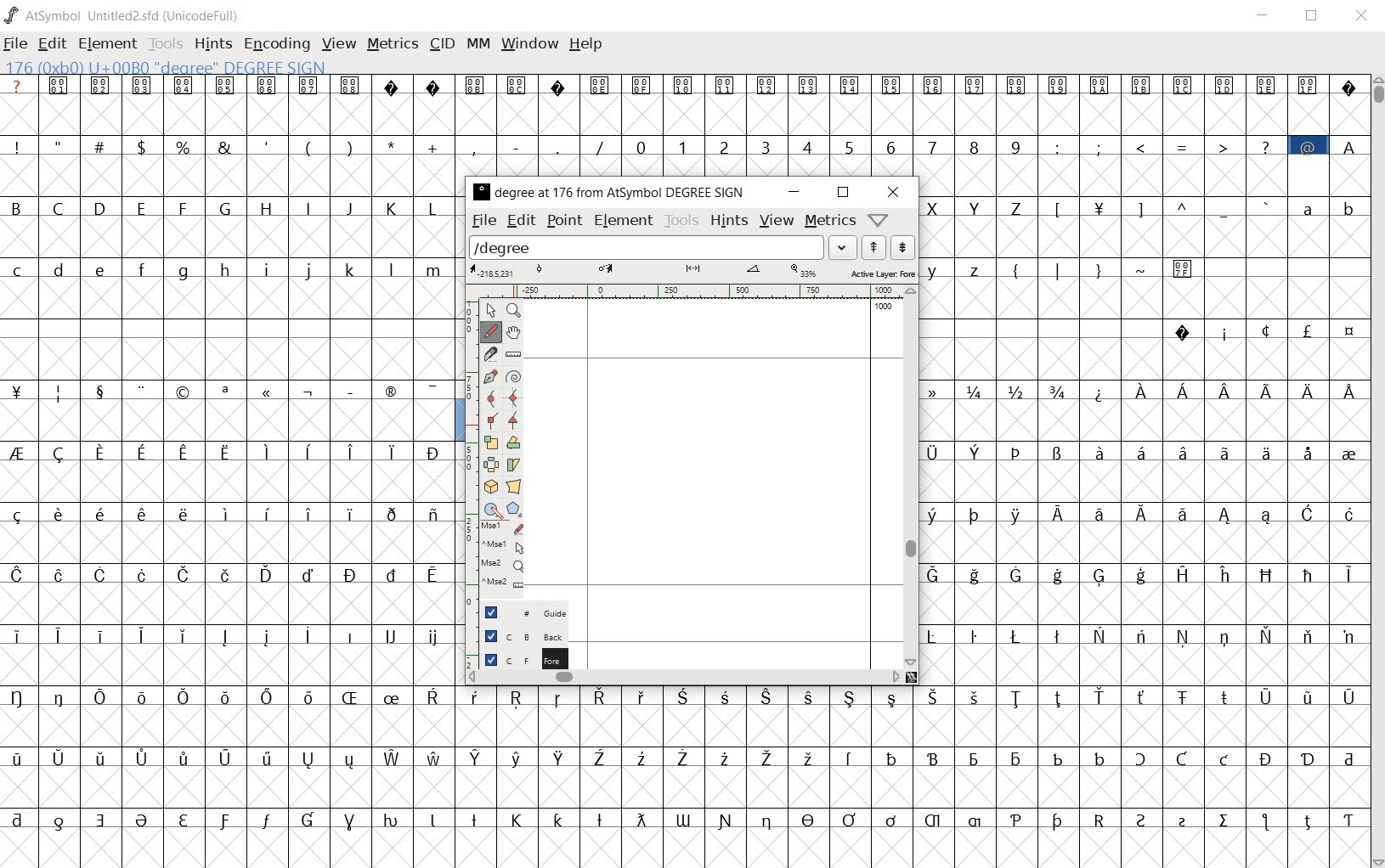 This screenshot has height=868, width=1385. What do you see at coordinates (1144, 450) in the screenshot?
I see `special letters` at bounding box center [1144, 450].